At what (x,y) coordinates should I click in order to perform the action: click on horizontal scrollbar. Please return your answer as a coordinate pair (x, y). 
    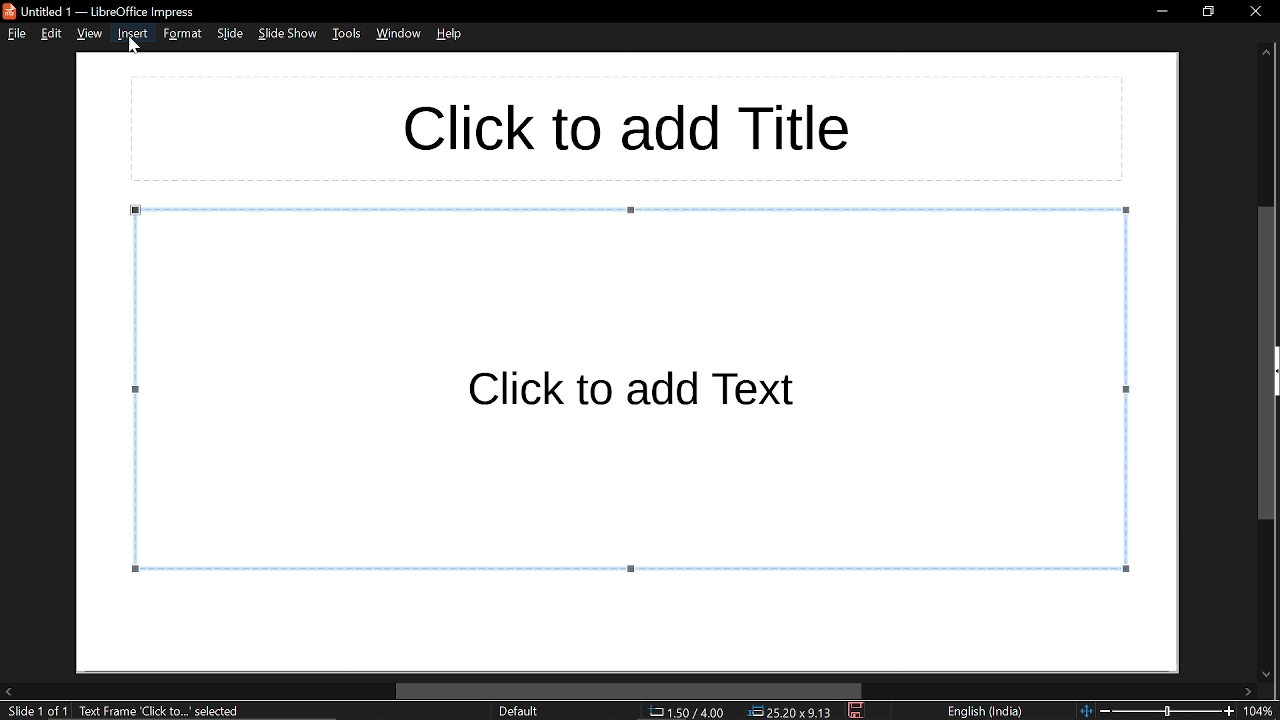
    Looking at the image, I should click on (628, 691).